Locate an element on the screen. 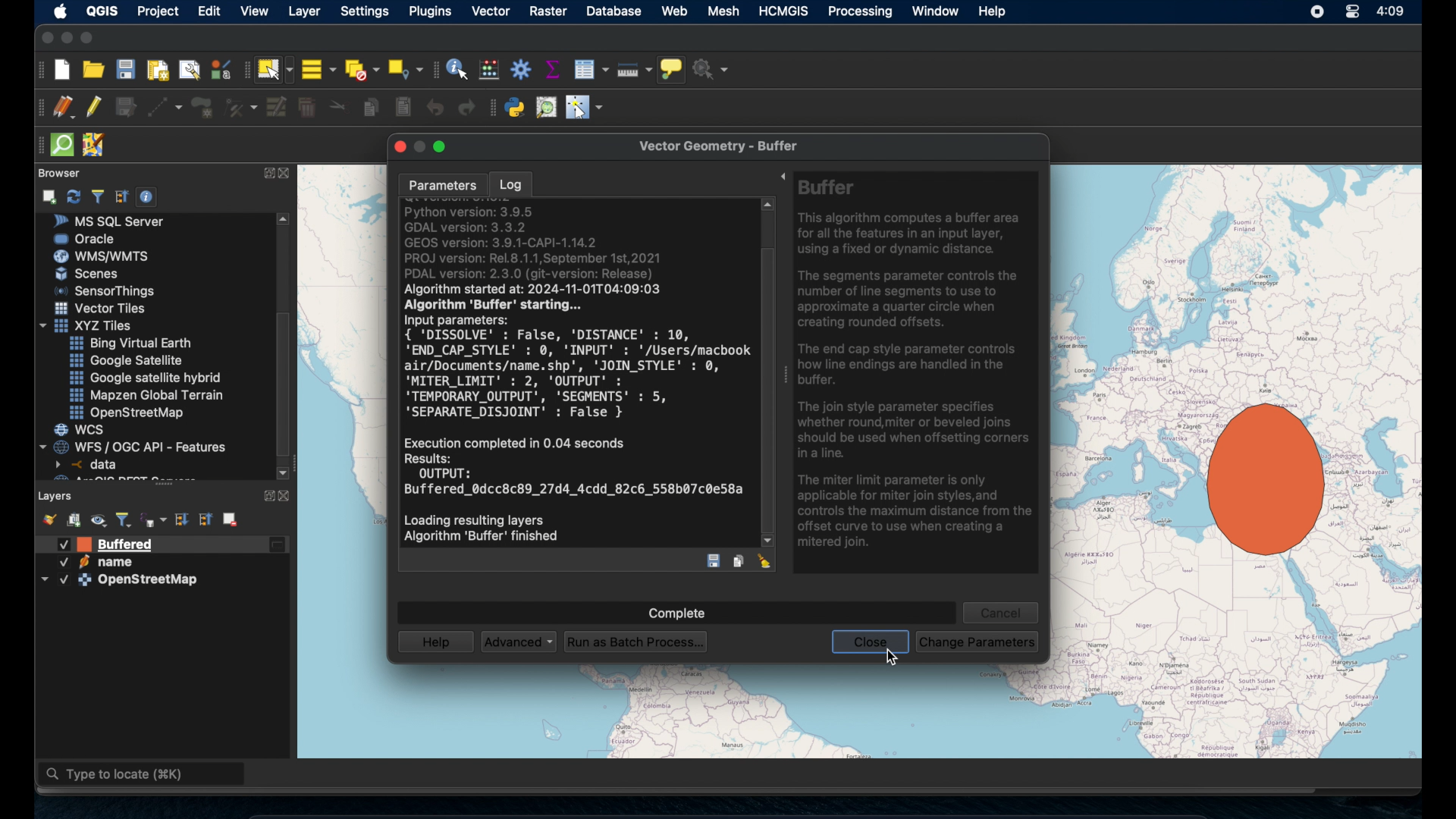 The height and width of the screenshot is (819, 1456). quicksom is located at coordinates (63, 145).